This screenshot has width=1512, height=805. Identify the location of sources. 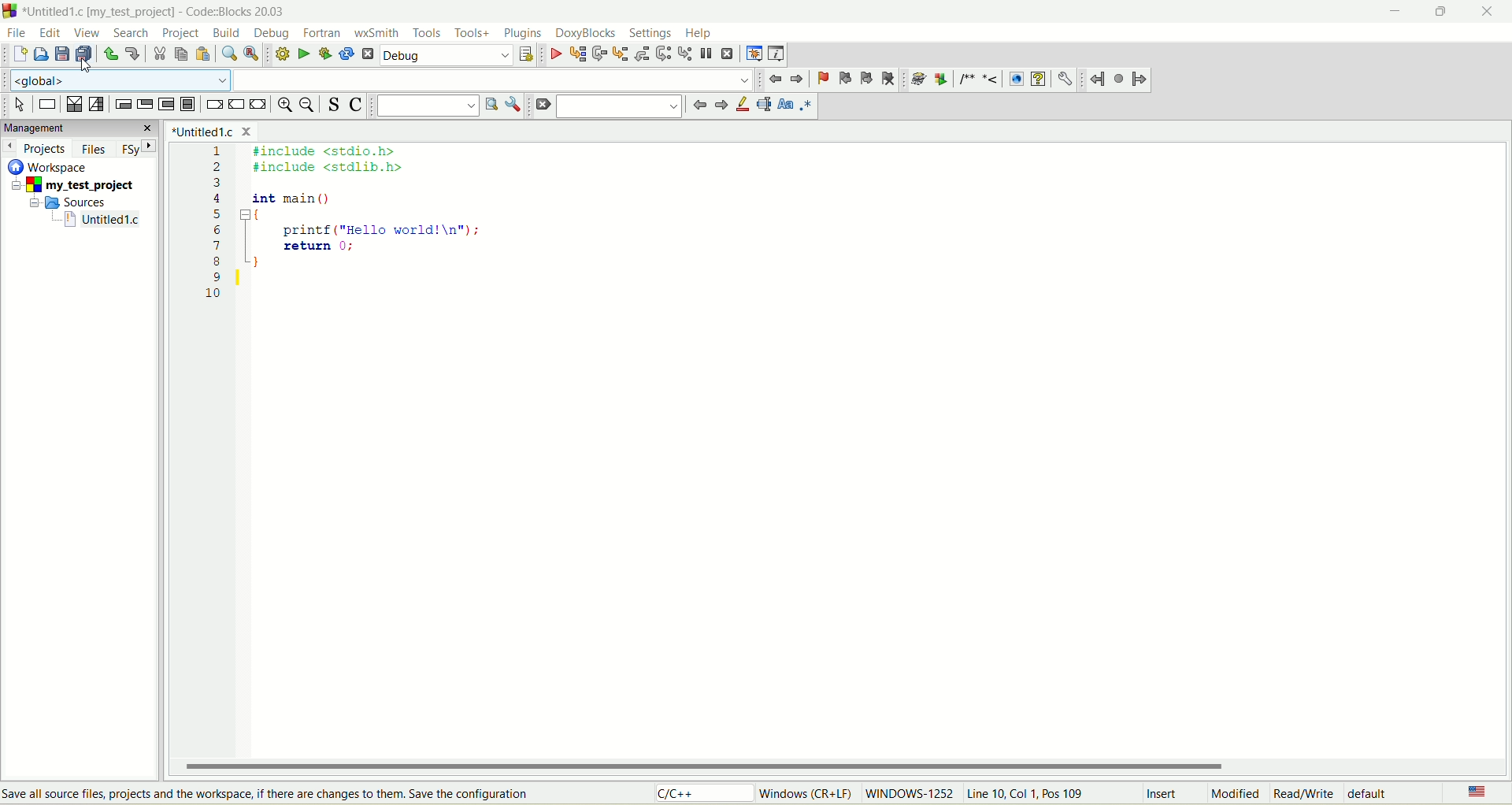
(74, 203).